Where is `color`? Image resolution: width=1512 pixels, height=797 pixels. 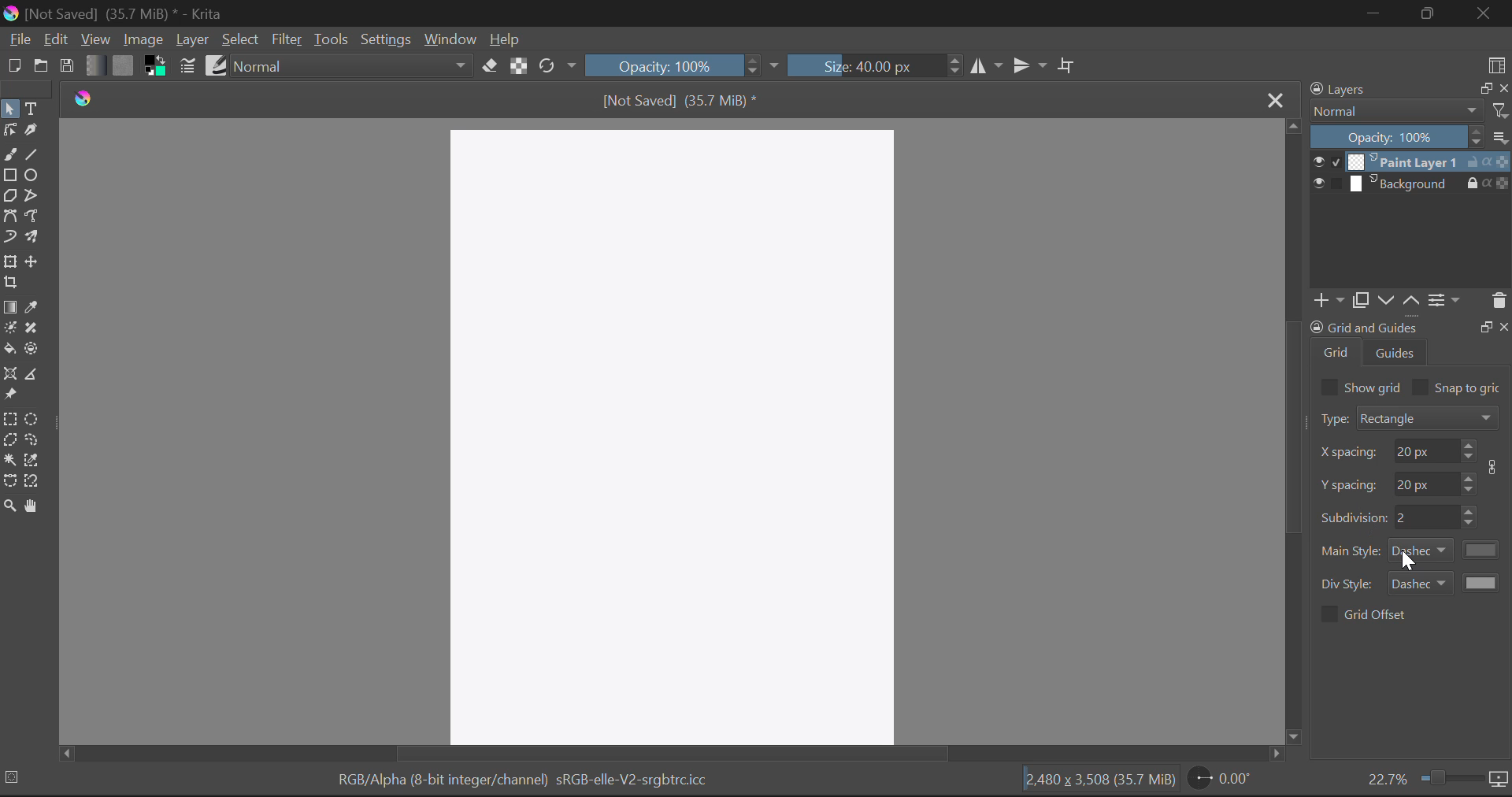
color is located at coordinates (1483, 582).